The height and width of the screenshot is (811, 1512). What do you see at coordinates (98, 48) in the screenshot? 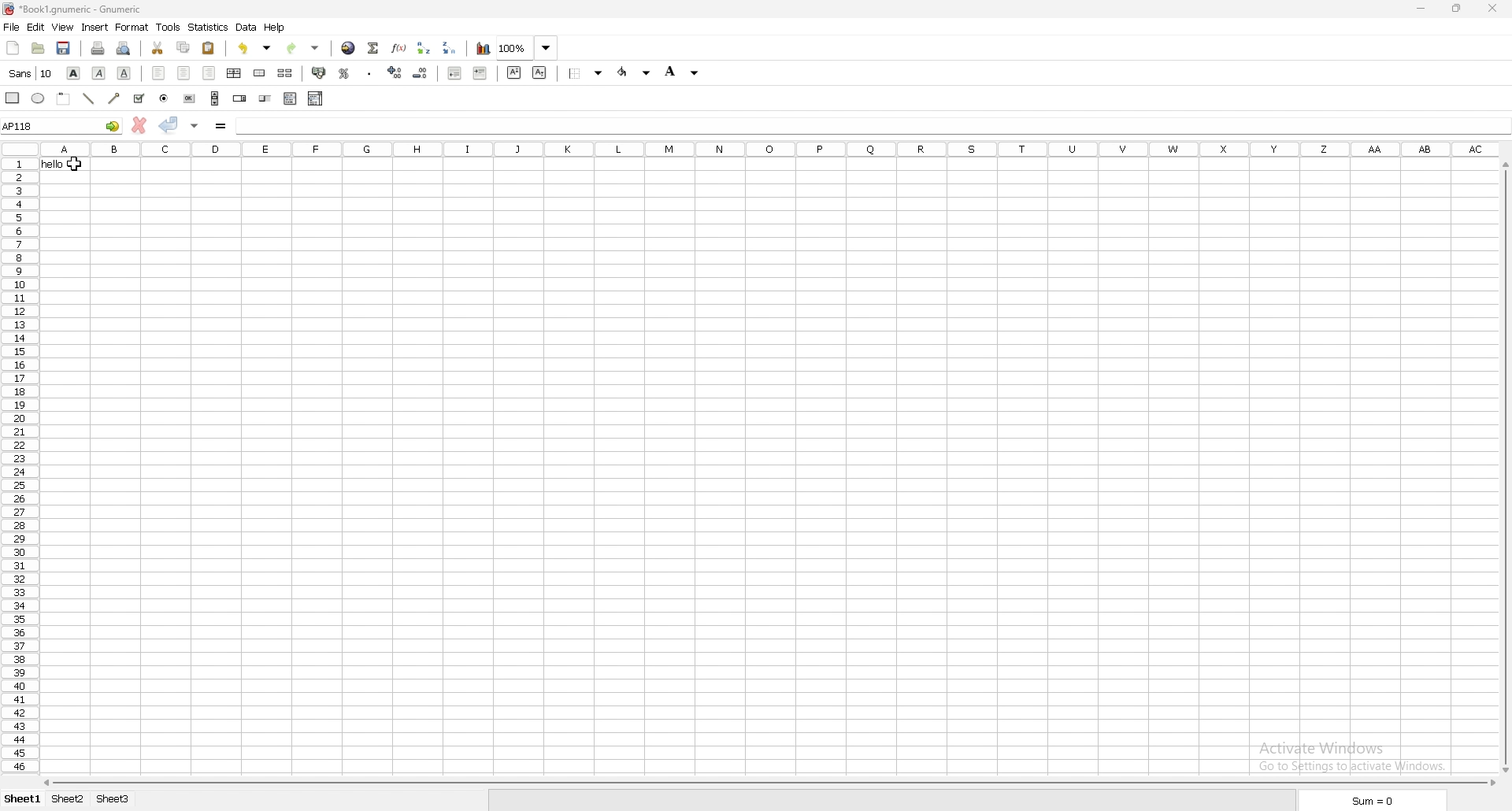
I see `print` at bounding box center [98, 48].